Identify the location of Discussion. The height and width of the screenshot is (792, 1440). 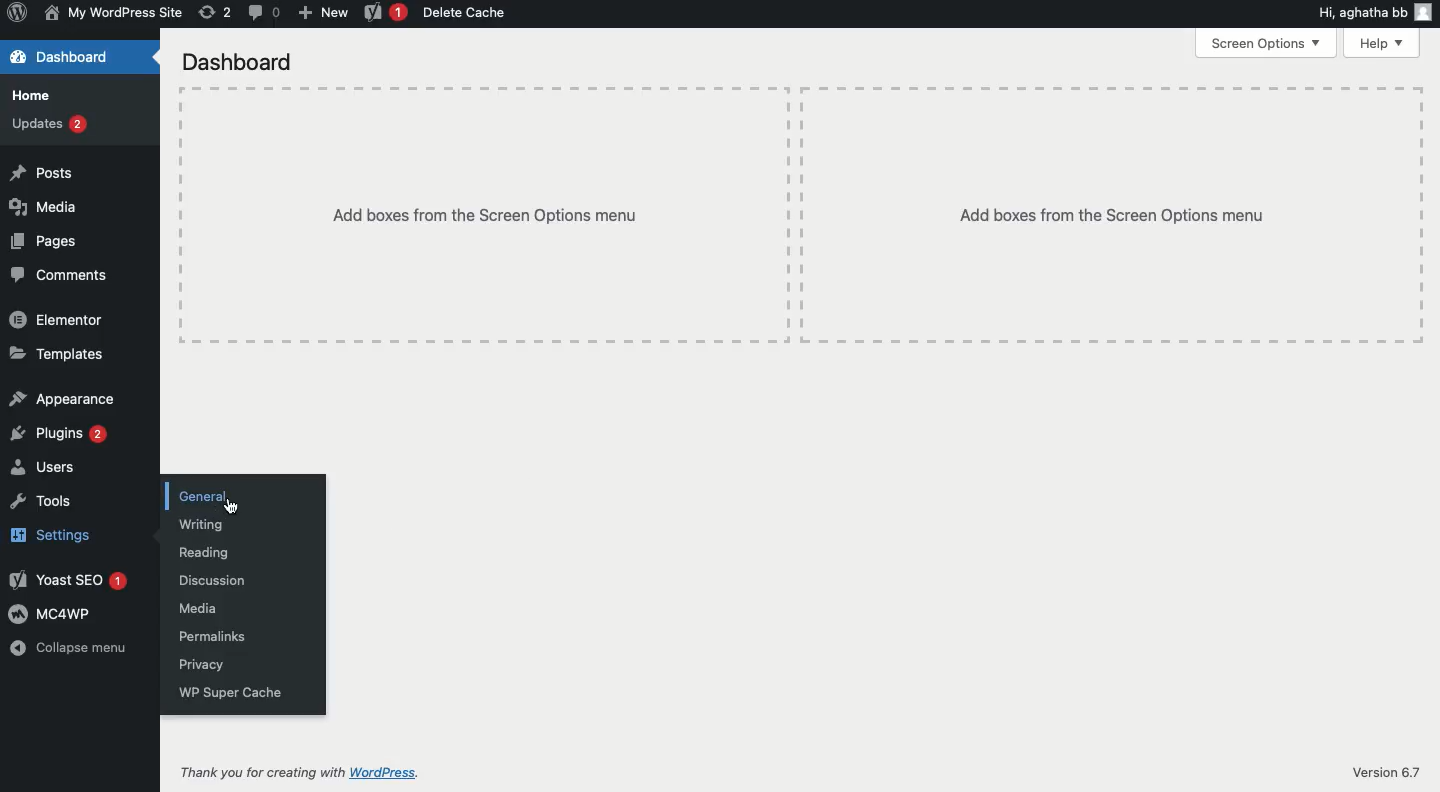
(211, 580).